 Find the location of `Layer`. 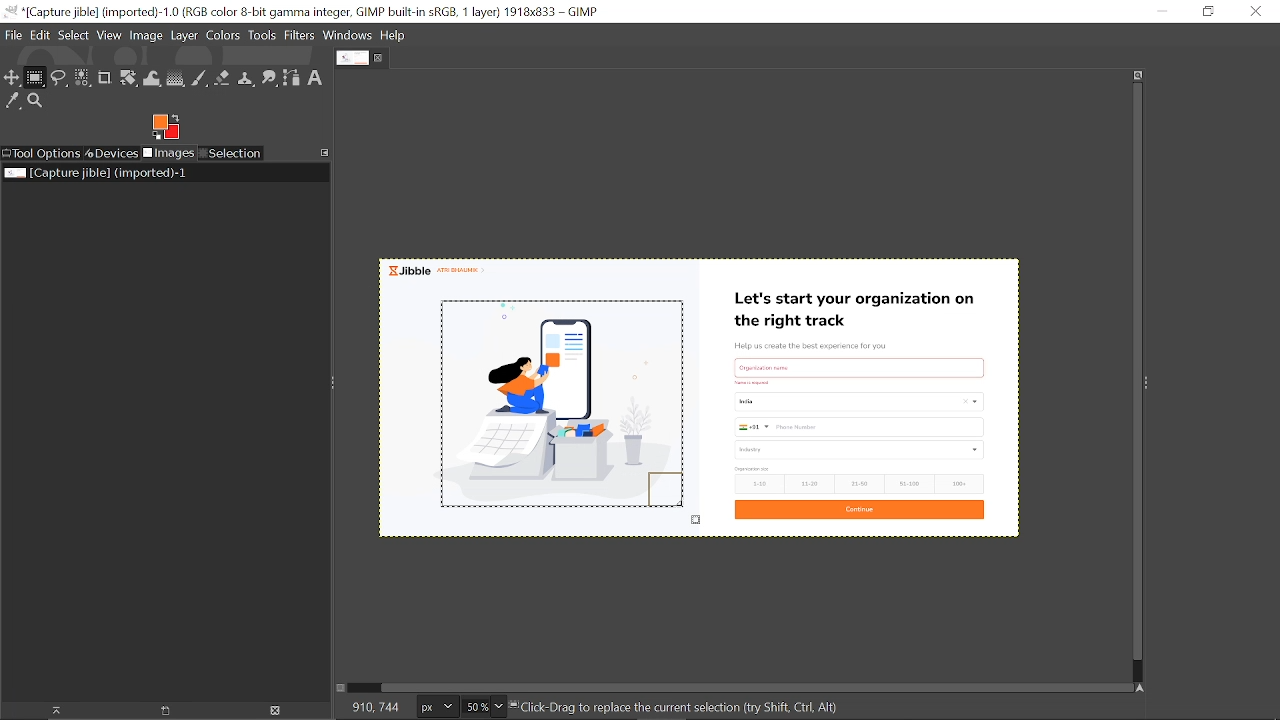

Layer is located at coordinates (185, 36).